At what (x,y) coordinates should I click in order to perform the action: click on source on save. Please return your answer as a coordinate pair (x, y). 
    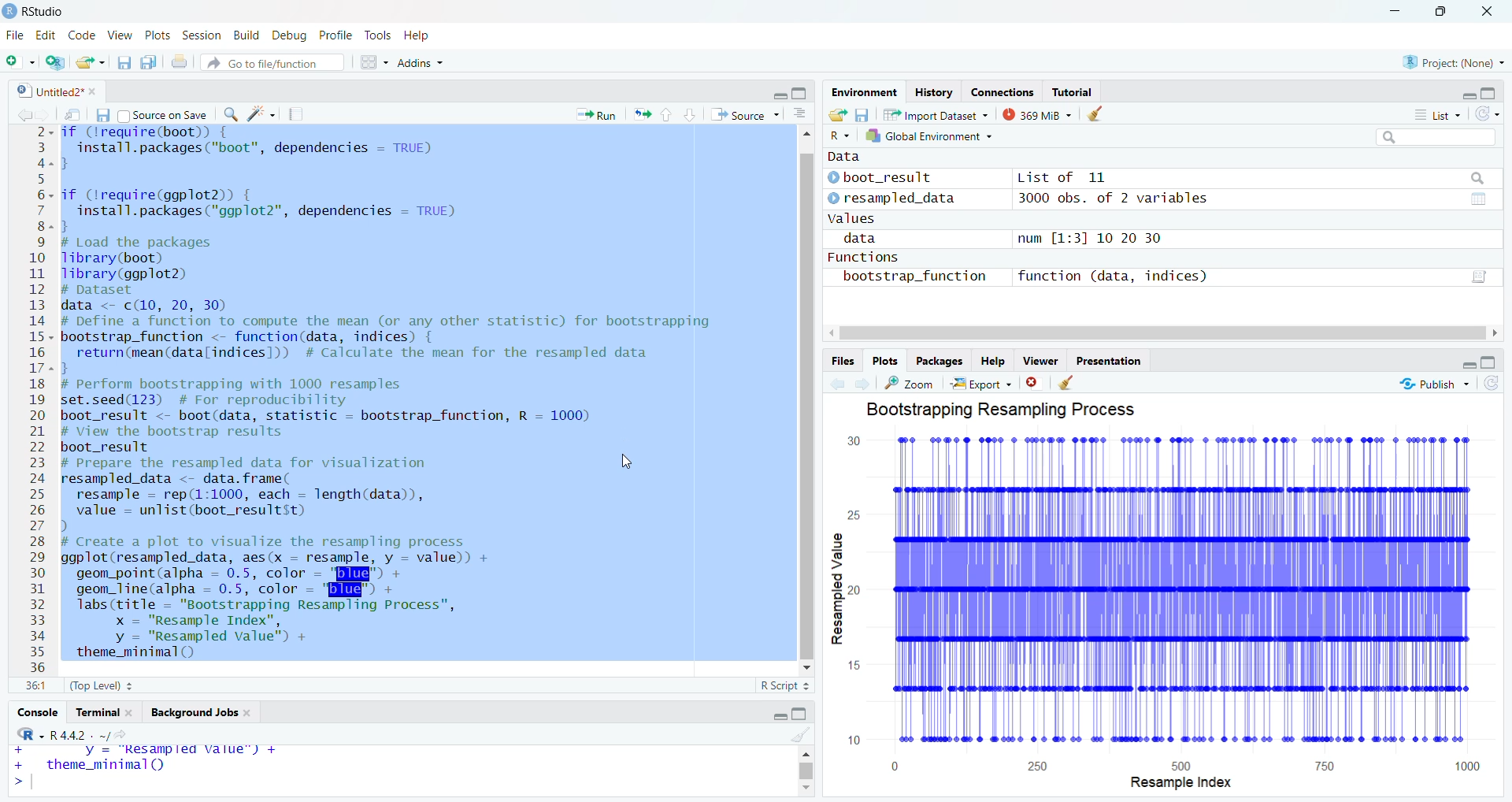
    Looking at the image, I should click on (166, 114).